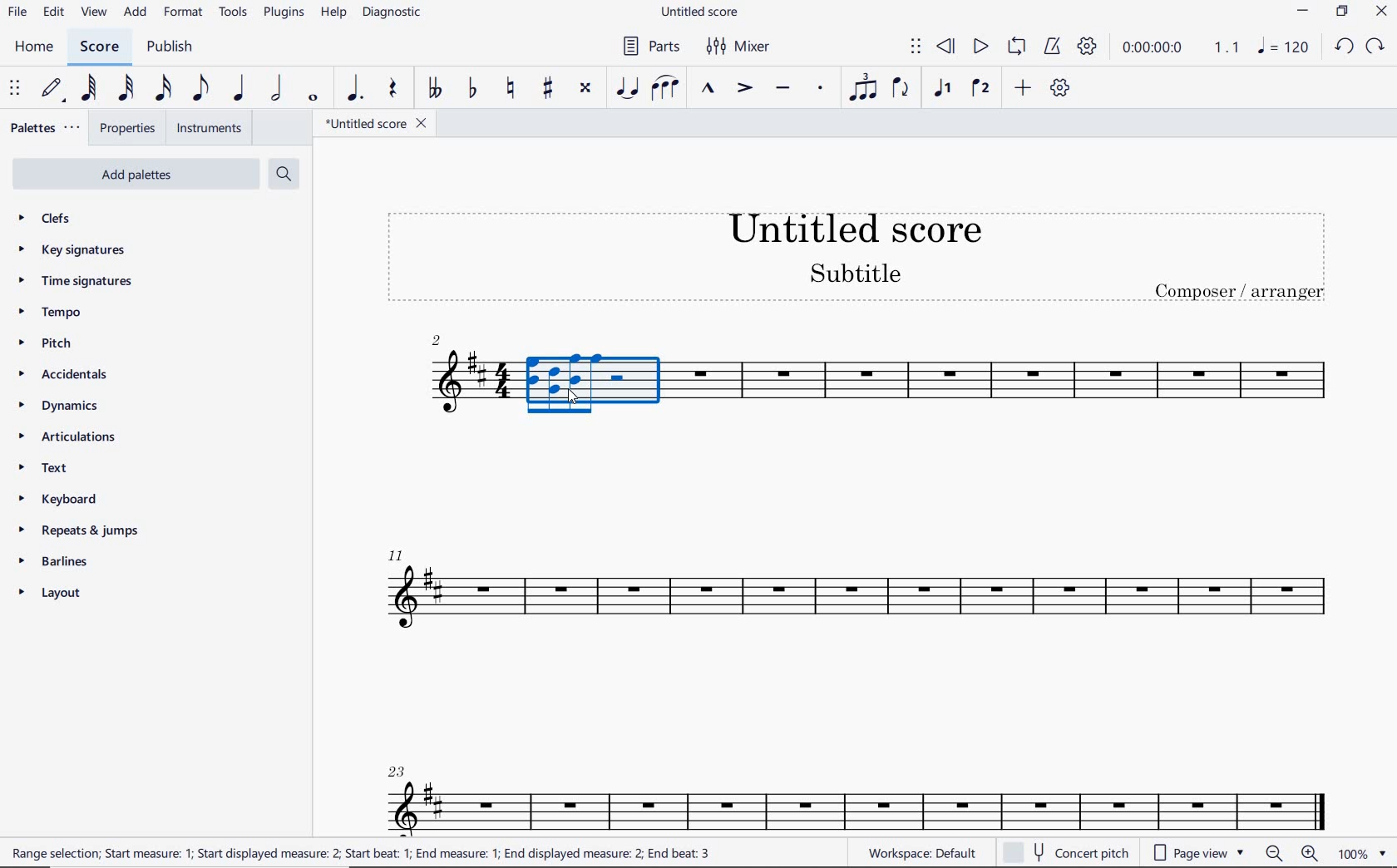  I want to click on REWIND, so click(946, 47).